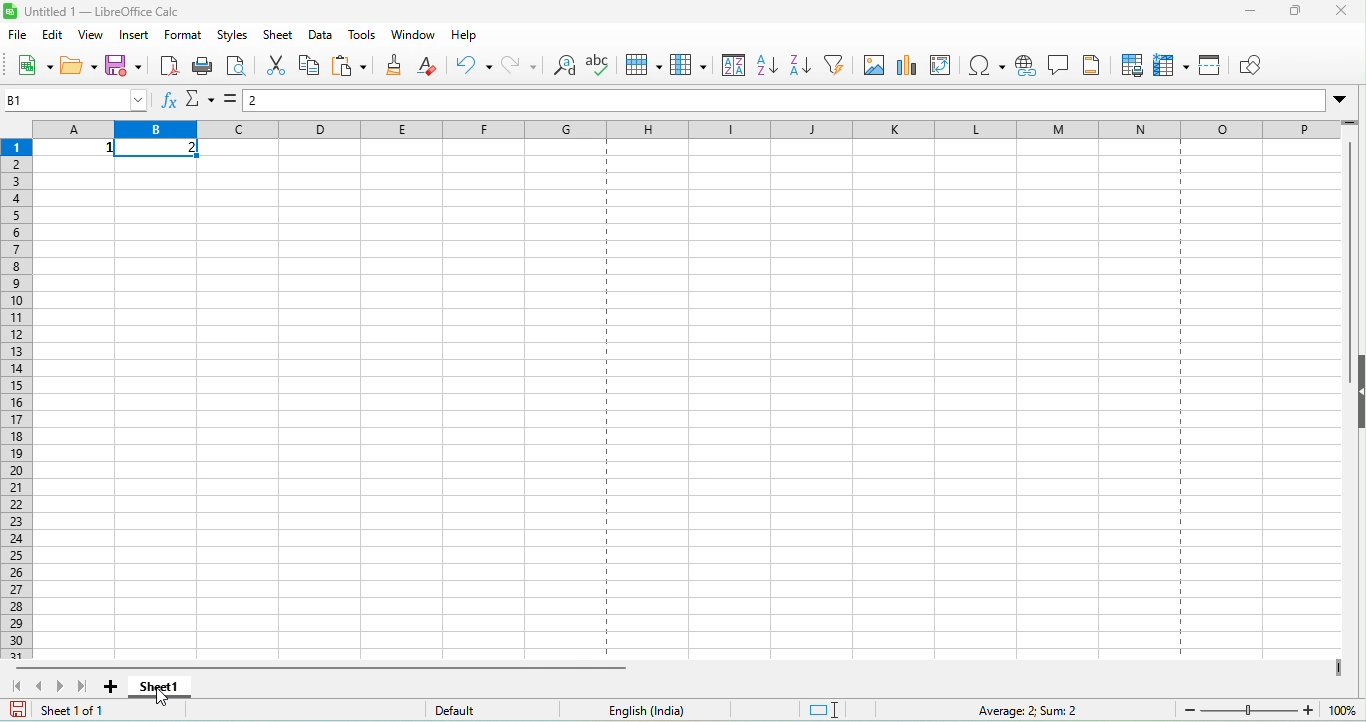 The image size is (1366, 722). Describe the element at coordinates (43, 685) in the screenshot. I see `scroll to previous sheet` at that location.